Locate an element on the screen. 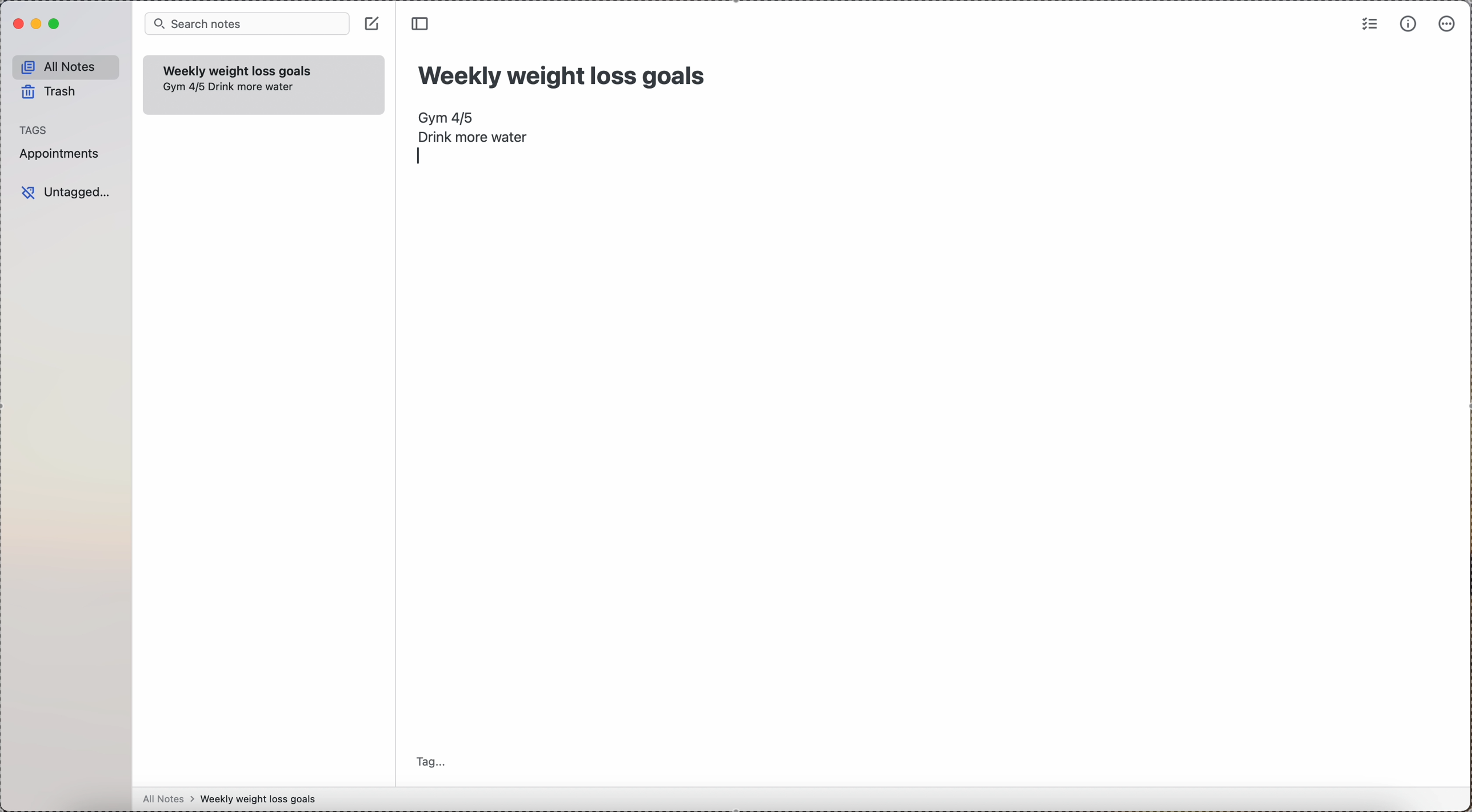 This screenshot has width=1472, height=812. drink more water is located at coordinates (252, 88).